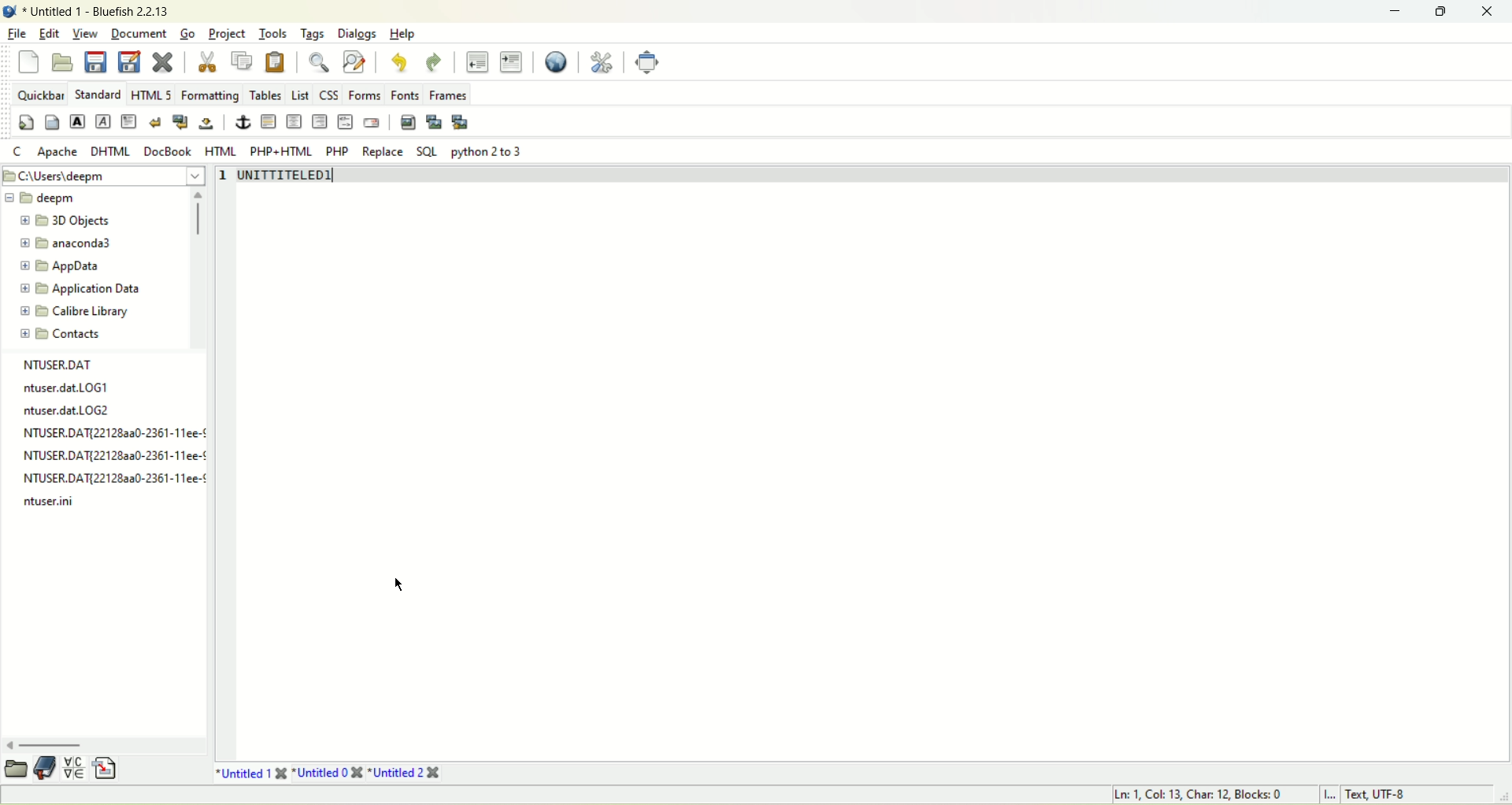 Image resolution: width=1512 pixels, height=805 pixels. I want to click on advanced find and replace, so click(358, 61).